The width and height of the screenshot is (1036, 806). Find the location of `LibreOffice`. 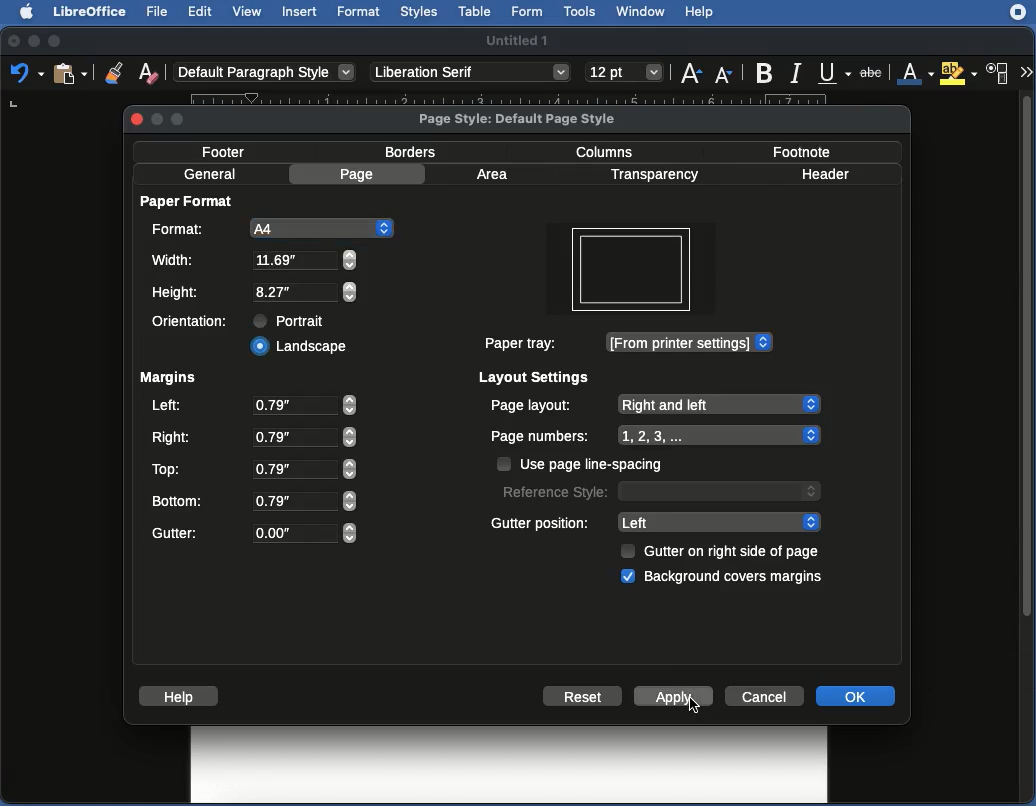

LibreOffice is located at coordinates (91, 12).